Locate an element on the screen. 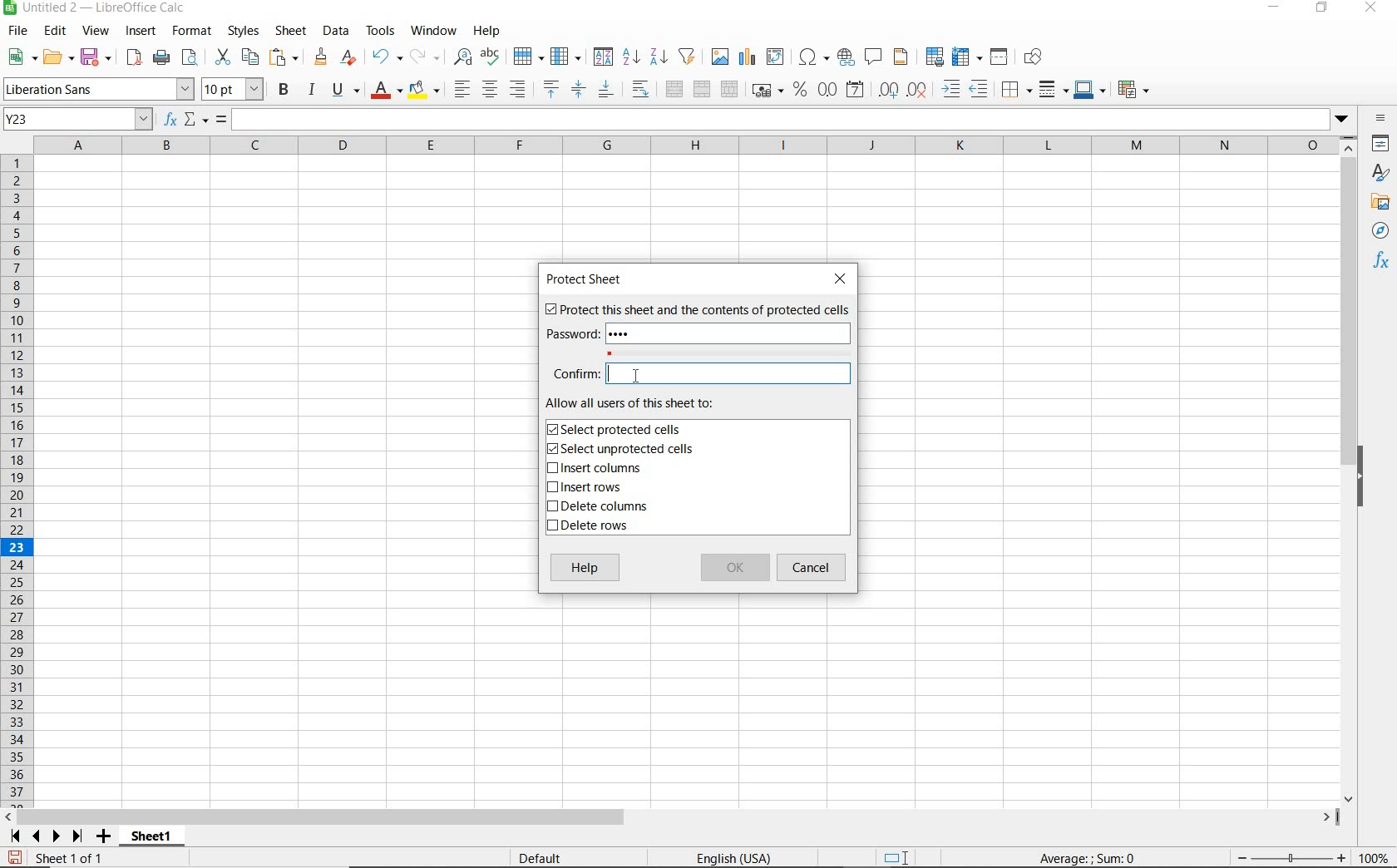 The height and width of the screenshot is (868, 1397). TOOLS is located at coordinates (379, 31).